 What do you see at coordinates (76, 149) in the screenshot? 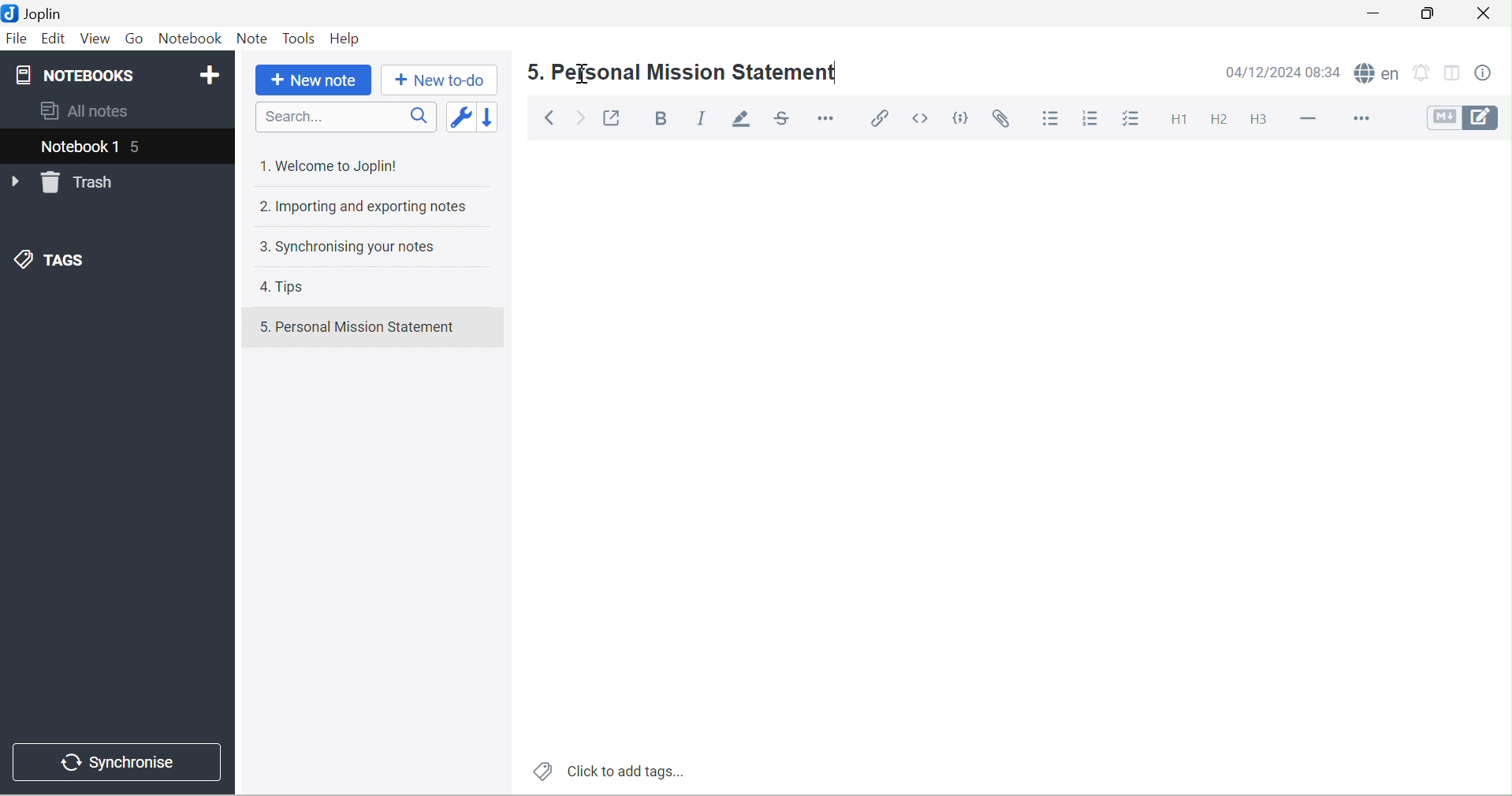
I see `Notebook 1` at bounding box center [76, 149].